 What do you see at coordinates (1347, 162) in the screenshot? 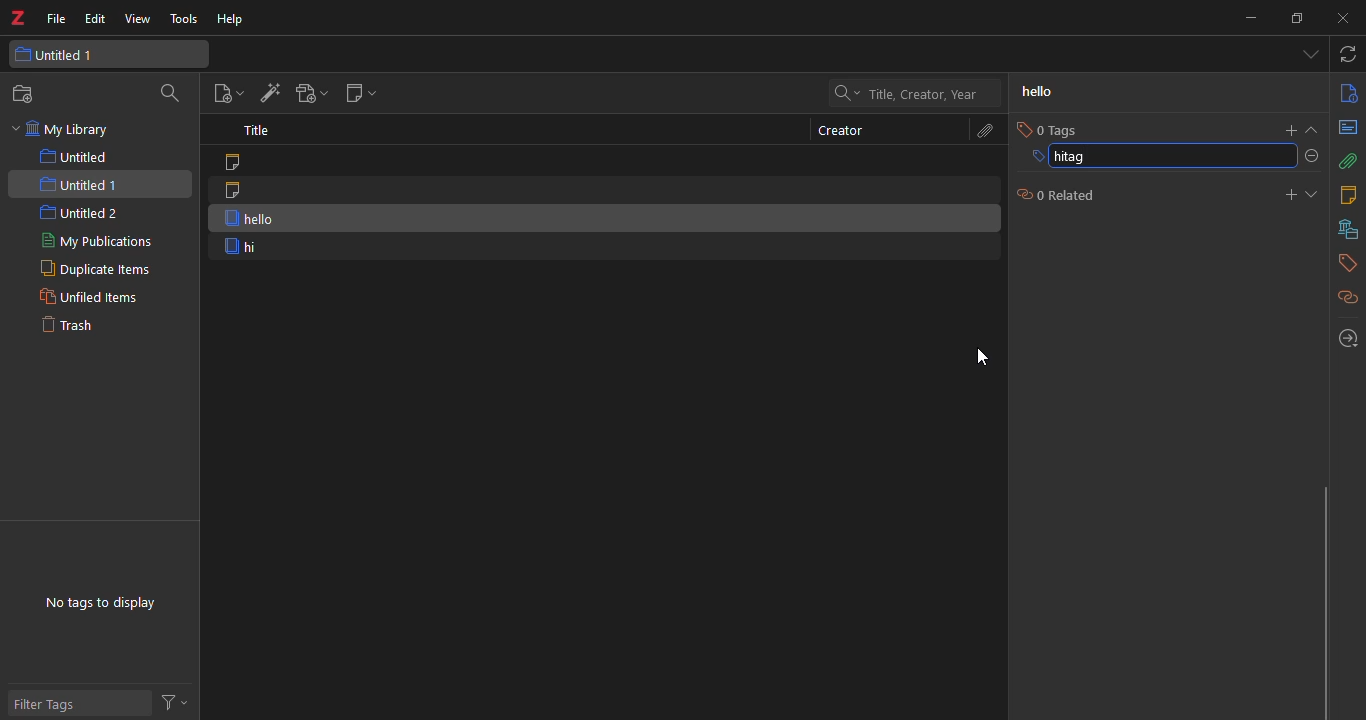
I see `attach` at bounding box center [1347, 162].